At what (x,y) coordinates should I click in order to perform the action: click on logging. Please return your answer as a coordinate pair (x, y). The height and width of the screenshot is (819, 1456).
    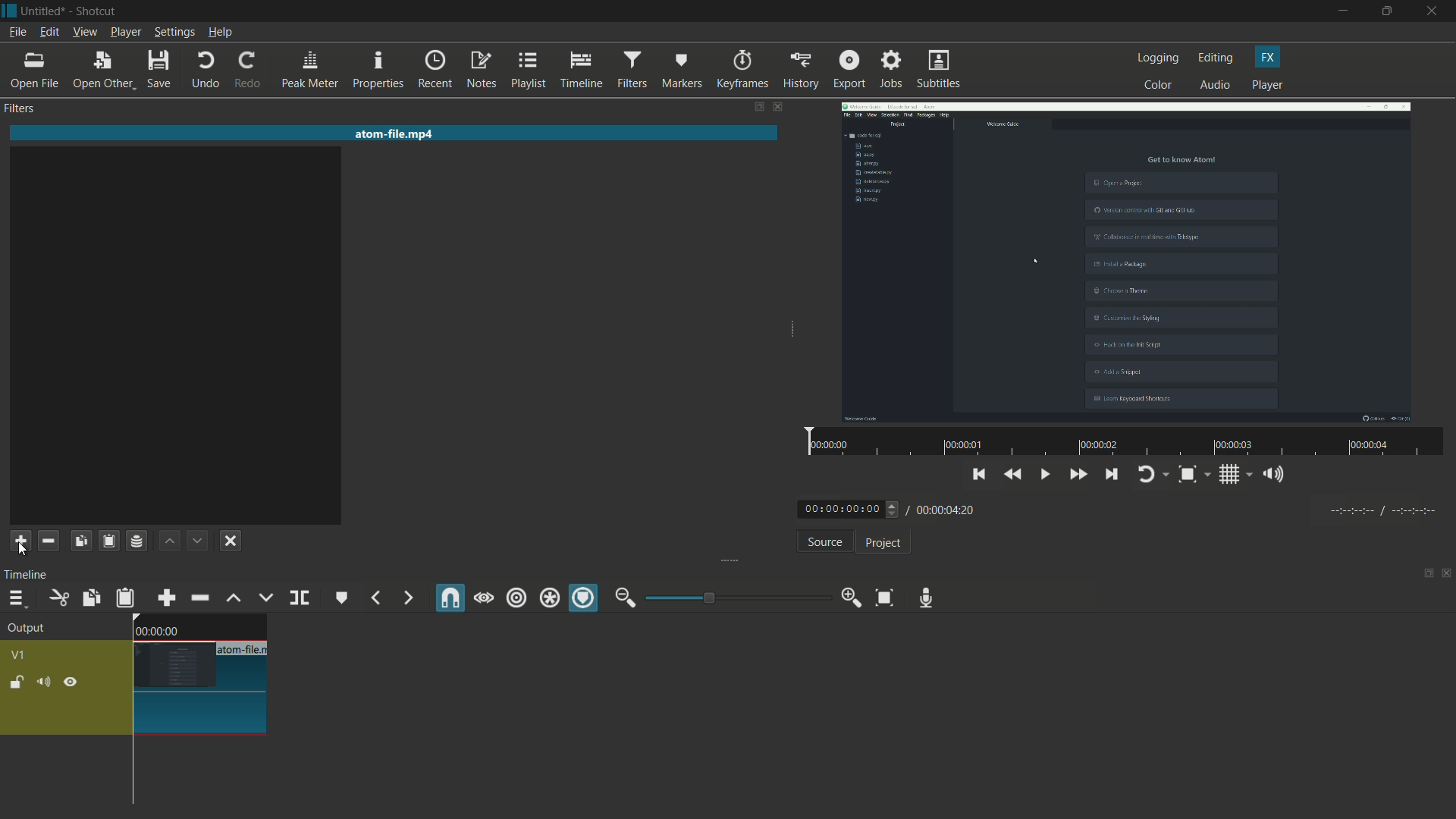
    Looking at the image, I should click on (1159, 58).